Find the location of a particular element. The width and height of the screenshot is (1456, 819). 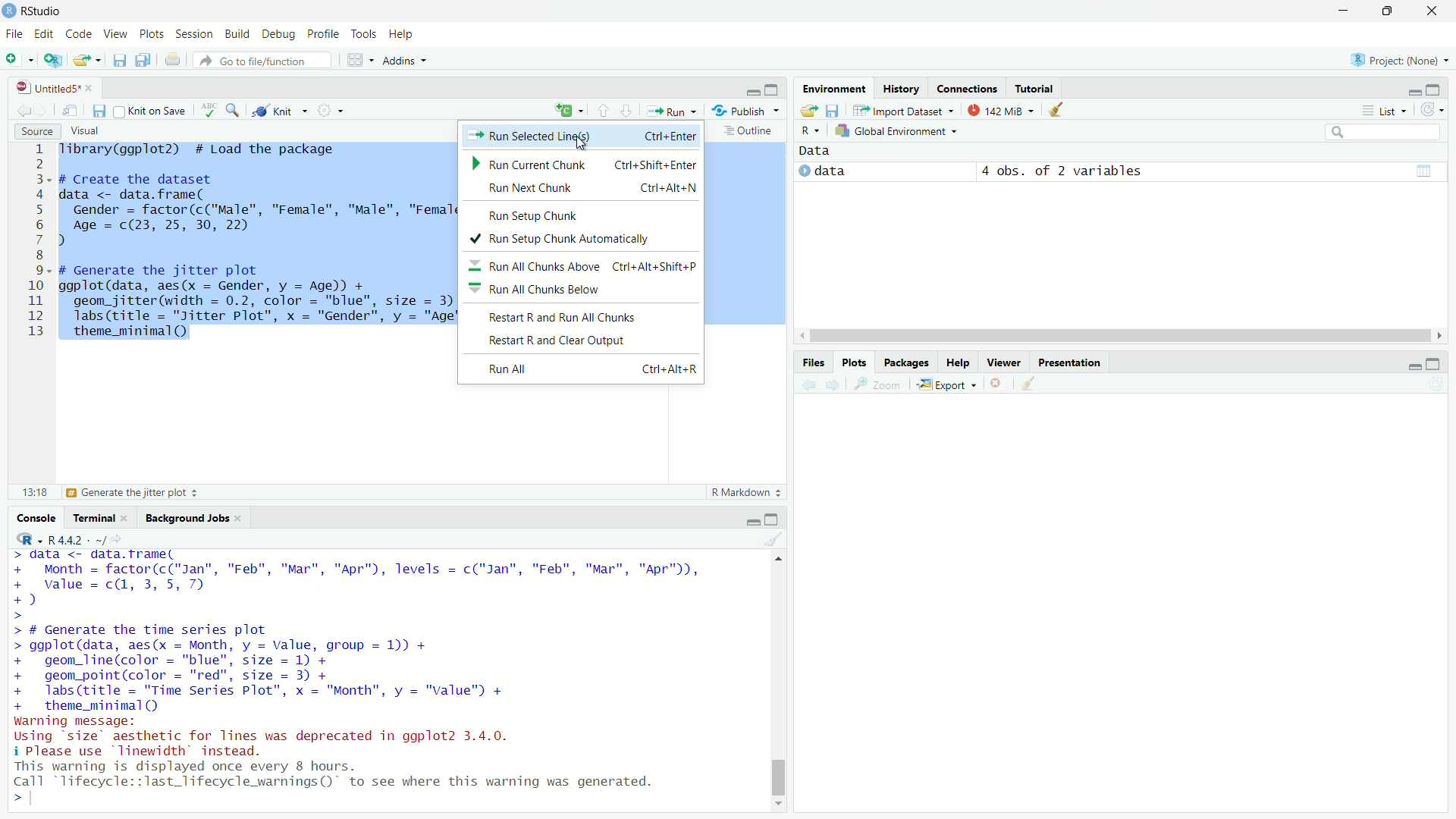

minimize is located at coordinates (1408, 364).